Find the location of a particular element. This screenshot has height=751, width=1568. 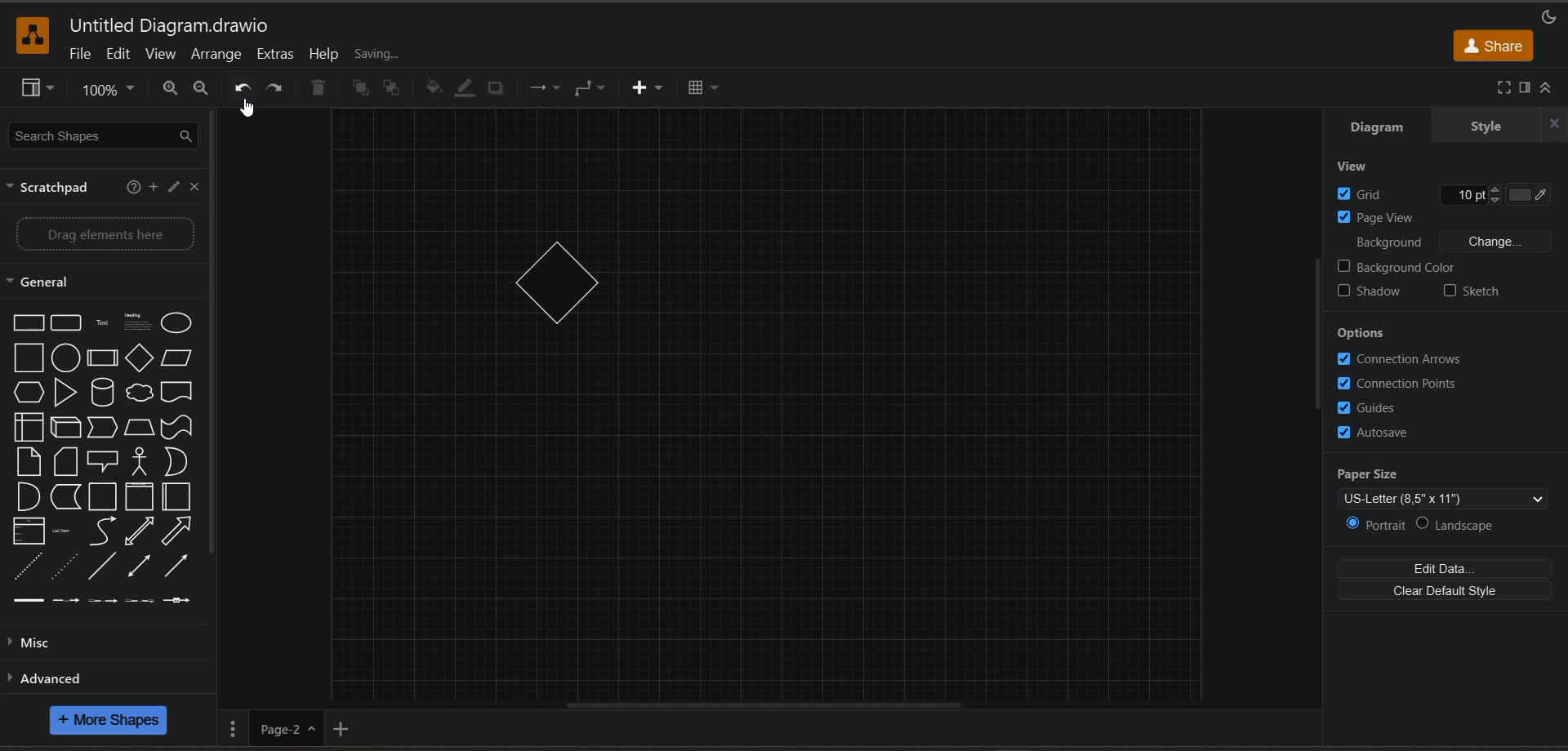

Curves is located at coordinates (104, 531).